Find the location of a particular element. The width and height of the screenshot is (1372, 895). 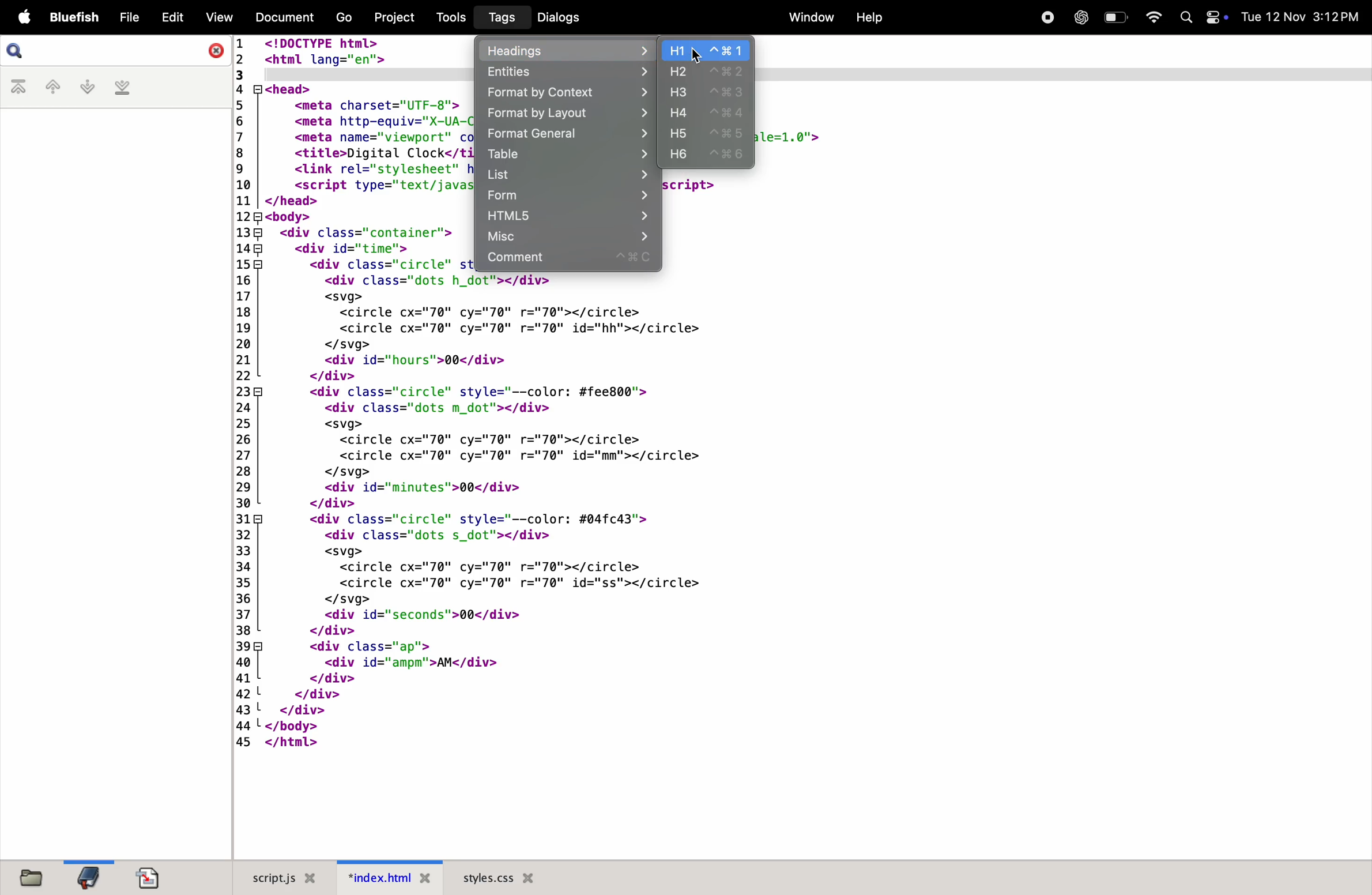

edit is located at coordinates (172, 16).